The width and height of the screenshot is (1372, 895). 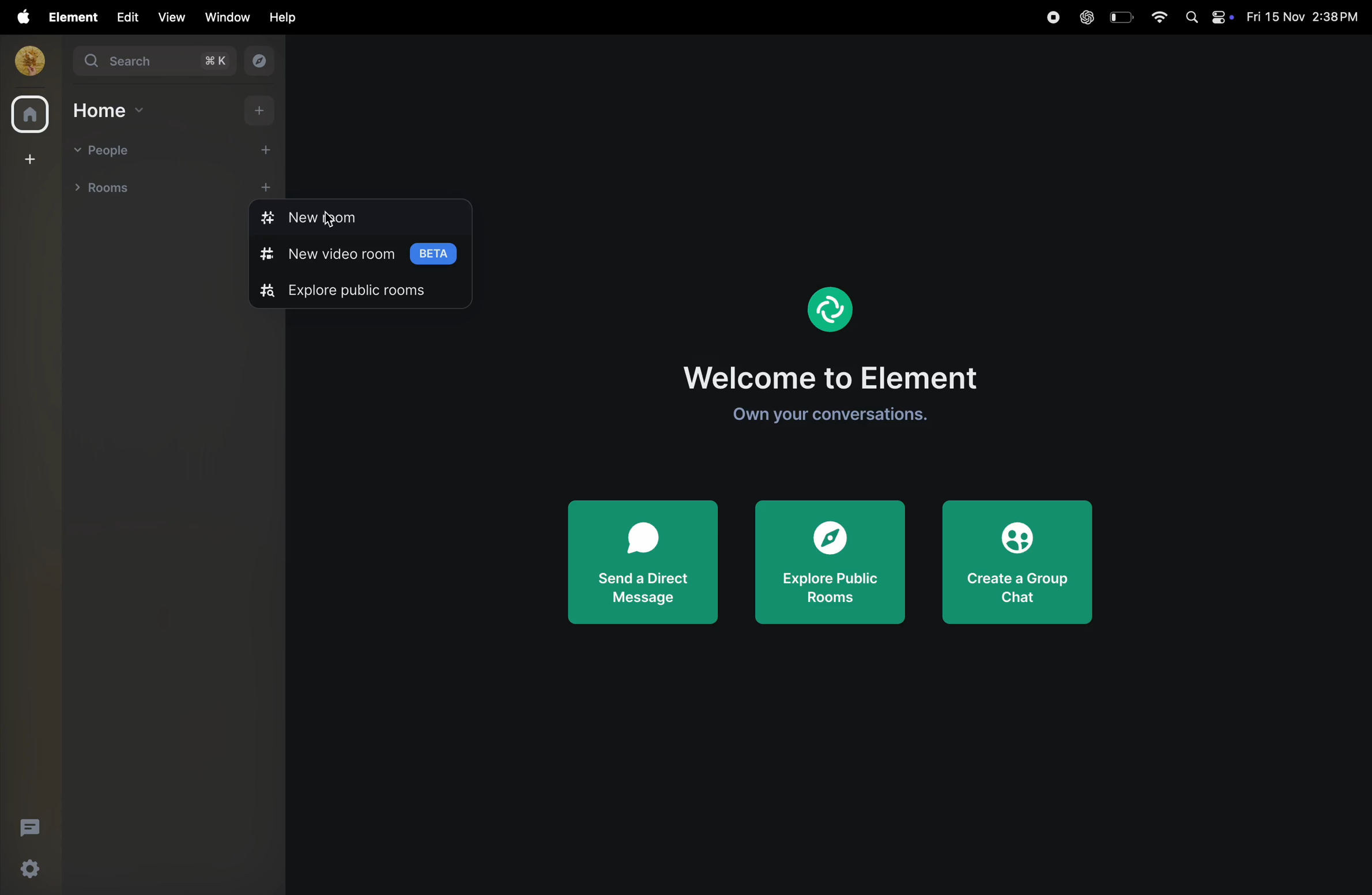 I want to click on new video room, so click(x=364, y=258).